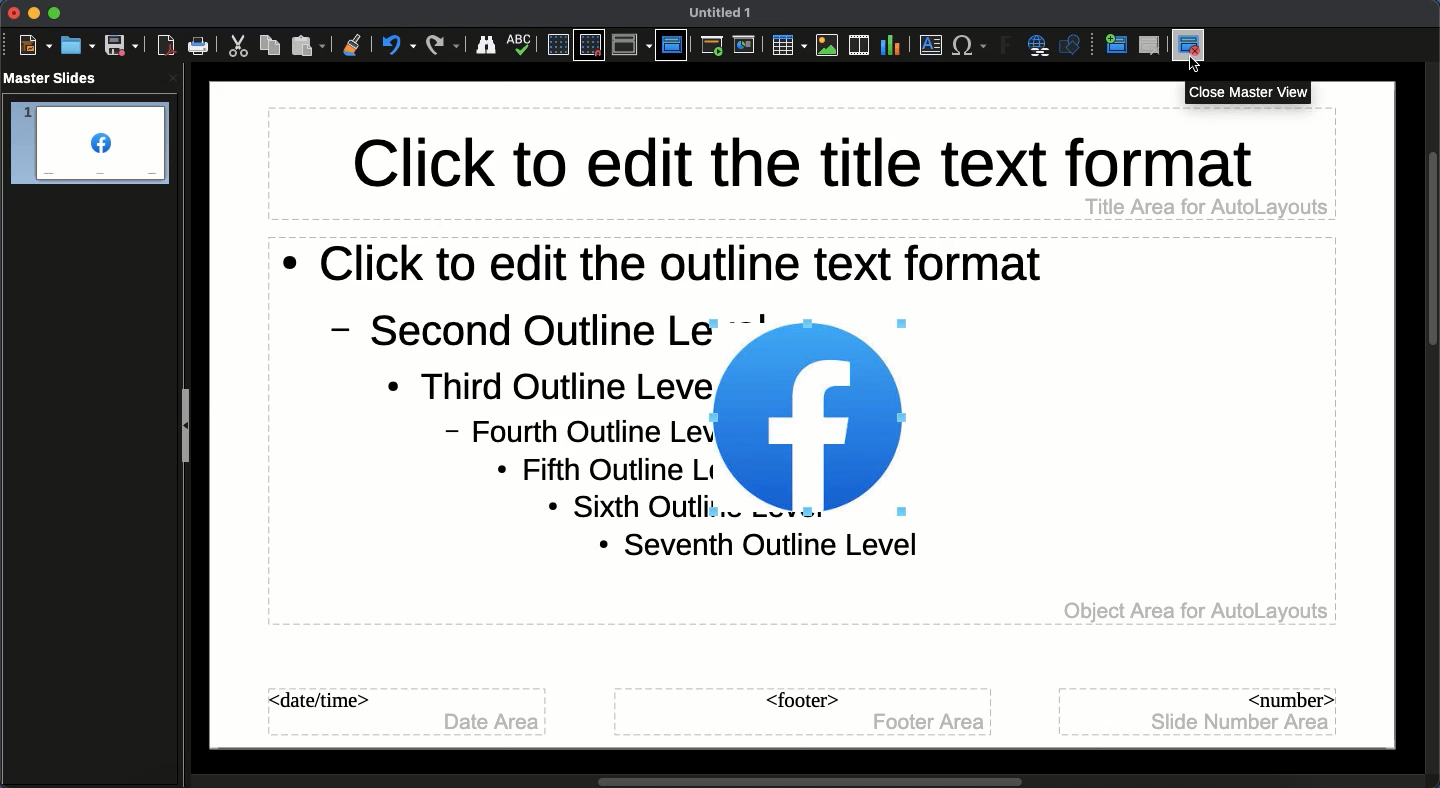 The width and height of the screenshot is (1440, 788). Describe the element at coordinates (310, 46) in the screenshot. I see `Paste` at that location.